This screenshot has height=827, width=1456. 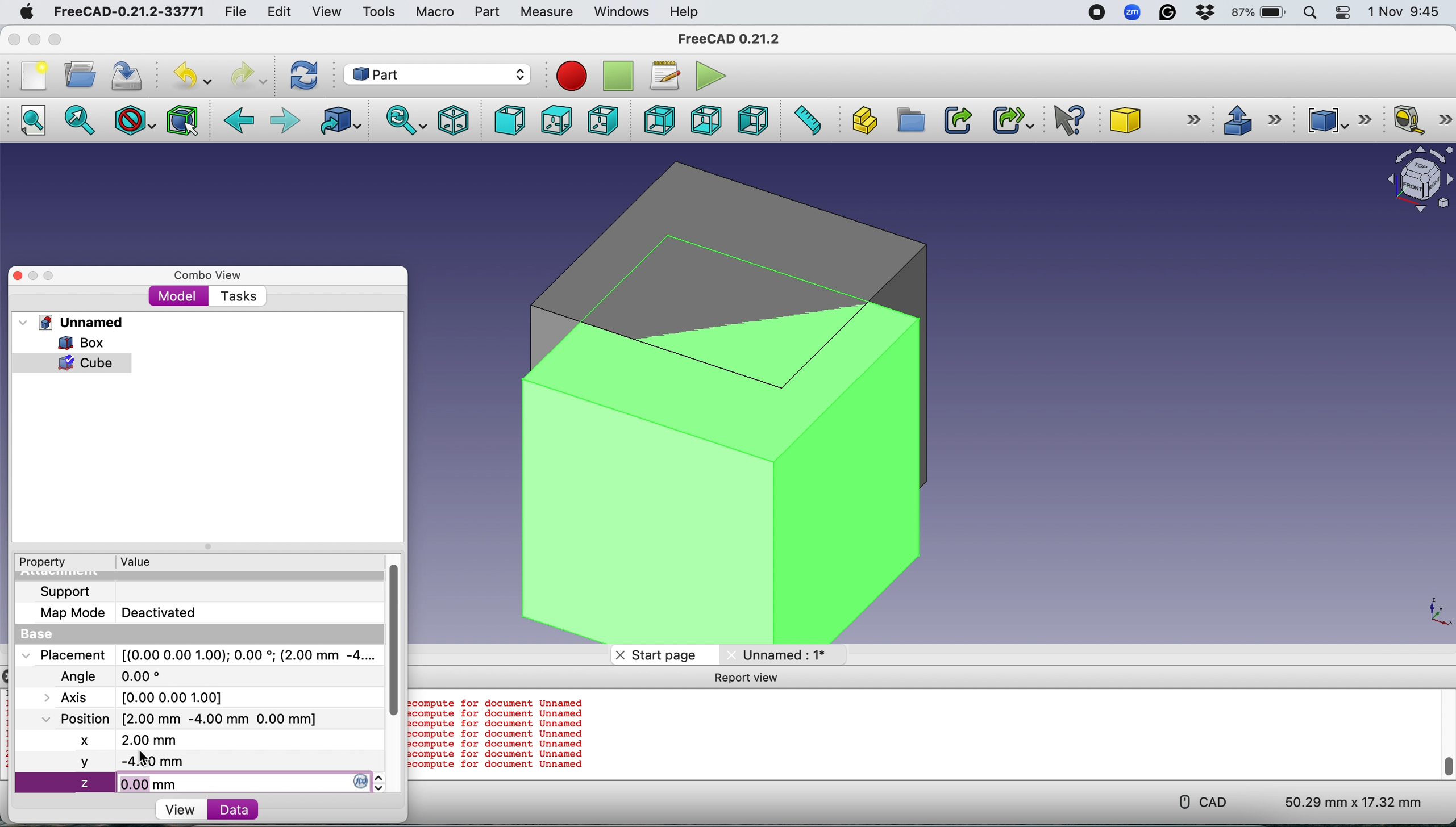 I want to click on Combo view, so click(x=209, y=275).